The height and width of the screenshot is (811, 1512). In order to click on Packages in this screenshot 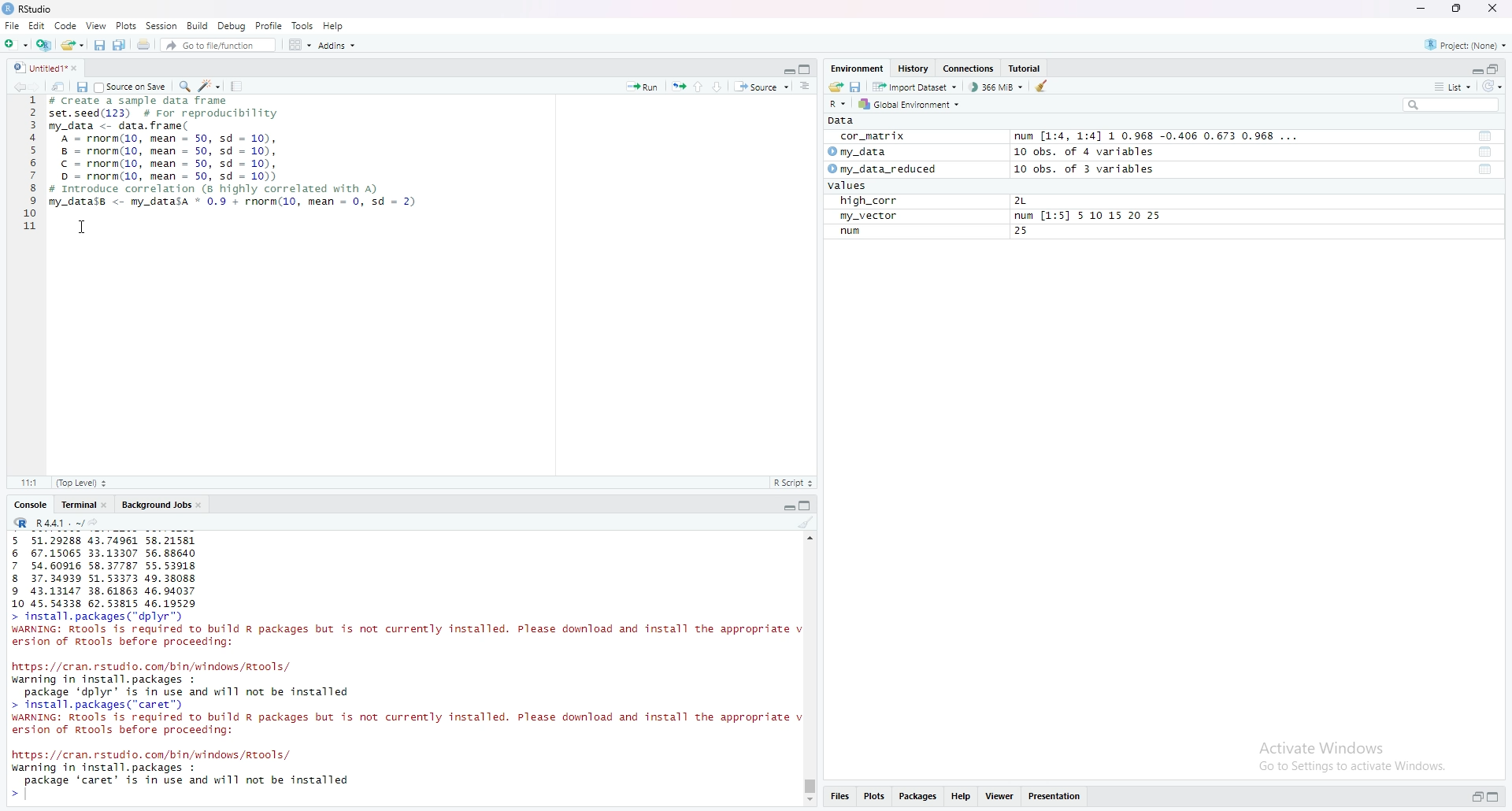, I will do `click(917, 797)`.